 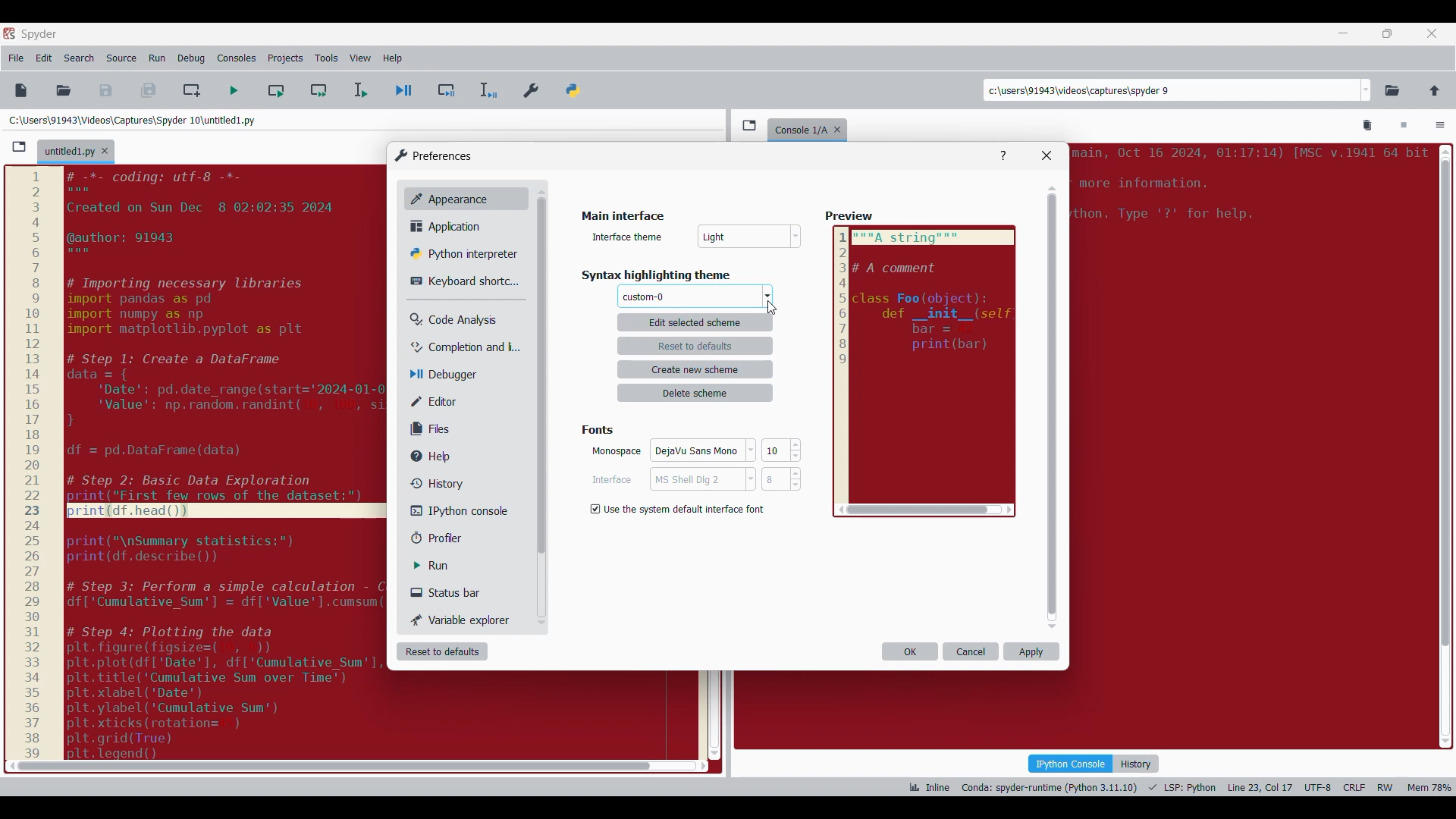 What do you see at coordinates (1368, 126) in the screenshot?
I see `Remove all variables from namespace` at bounding box center [1368, 126].